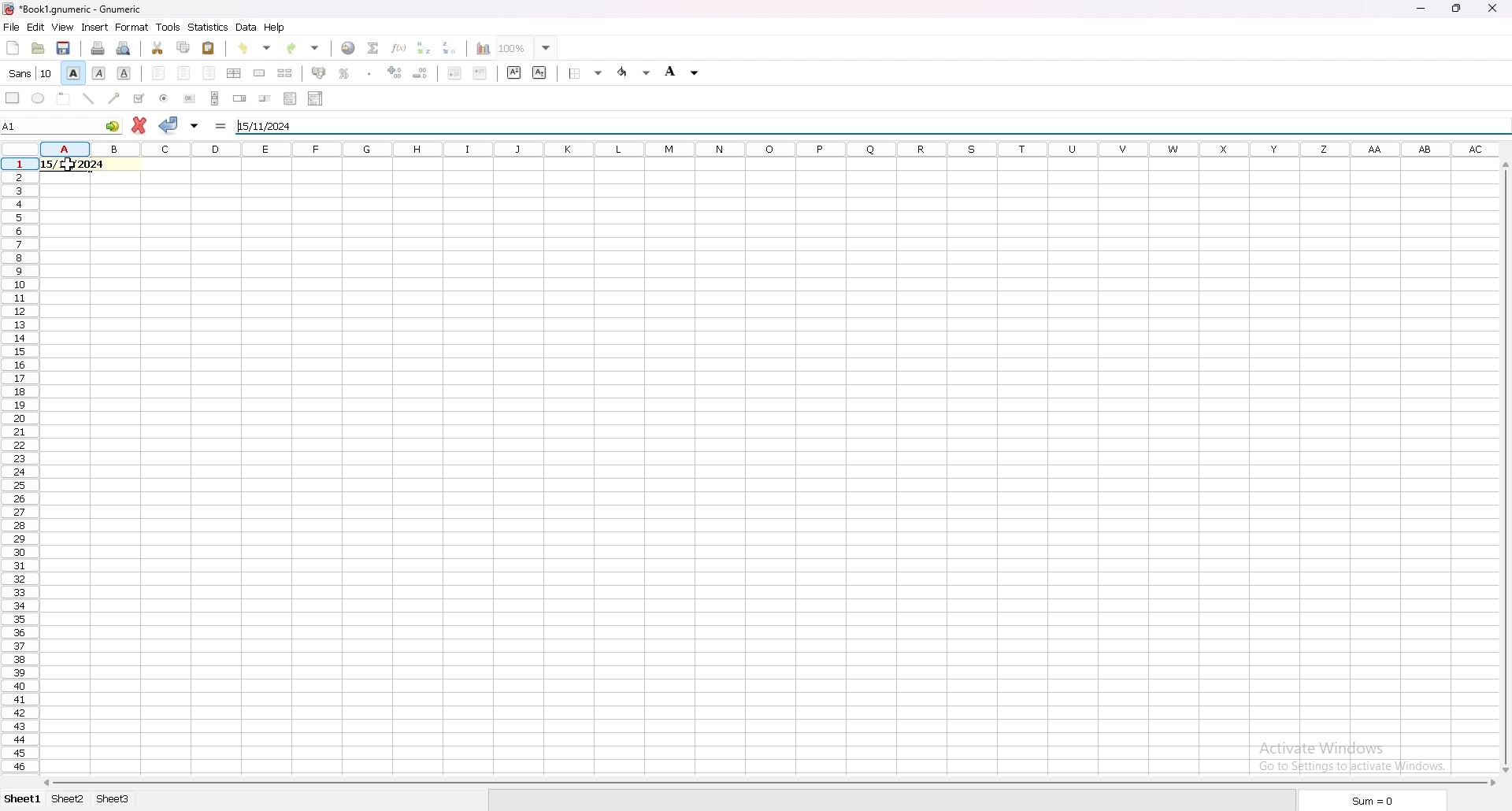 The width and height of the screenshot is (1512, 811). Describe the element at coordinates (13, 48) in the screenshot. I see `new` at that location.